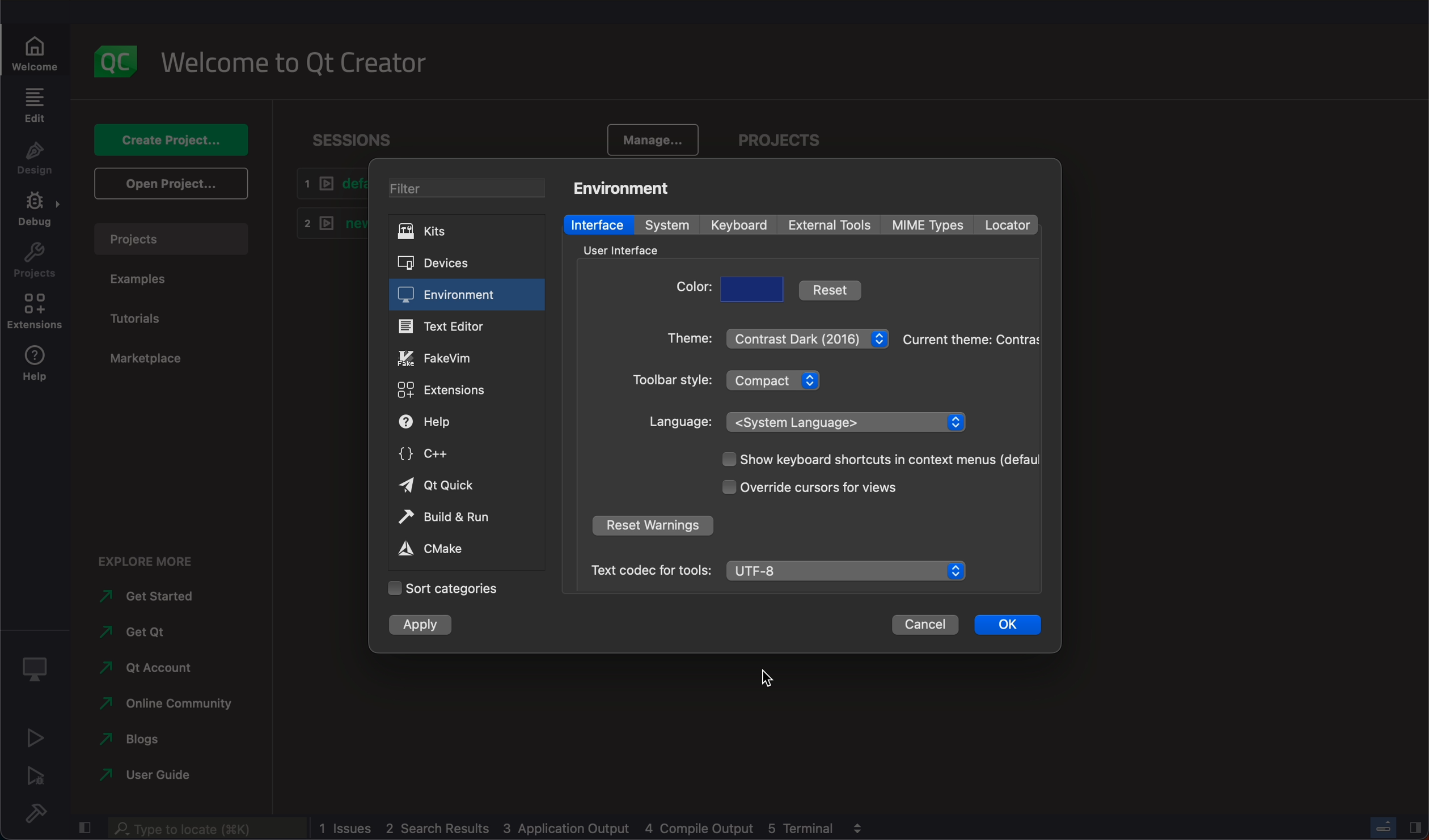  What do you see at coordinates (849, 421) in the screenshot?
I see `languages menu` at bounding box center [849, 421].